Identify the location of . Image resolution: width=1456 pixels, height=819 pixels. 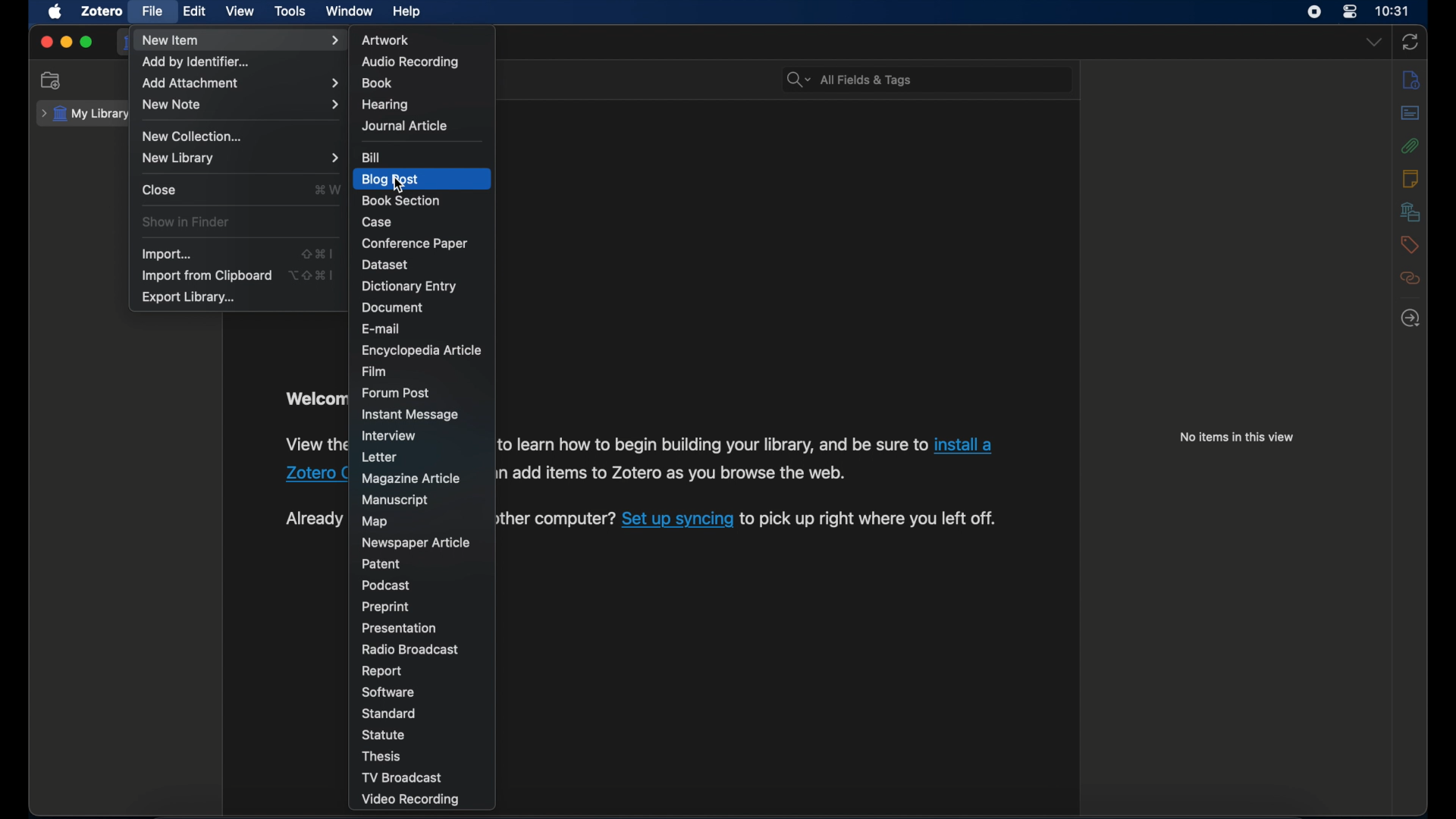
(313, 472).